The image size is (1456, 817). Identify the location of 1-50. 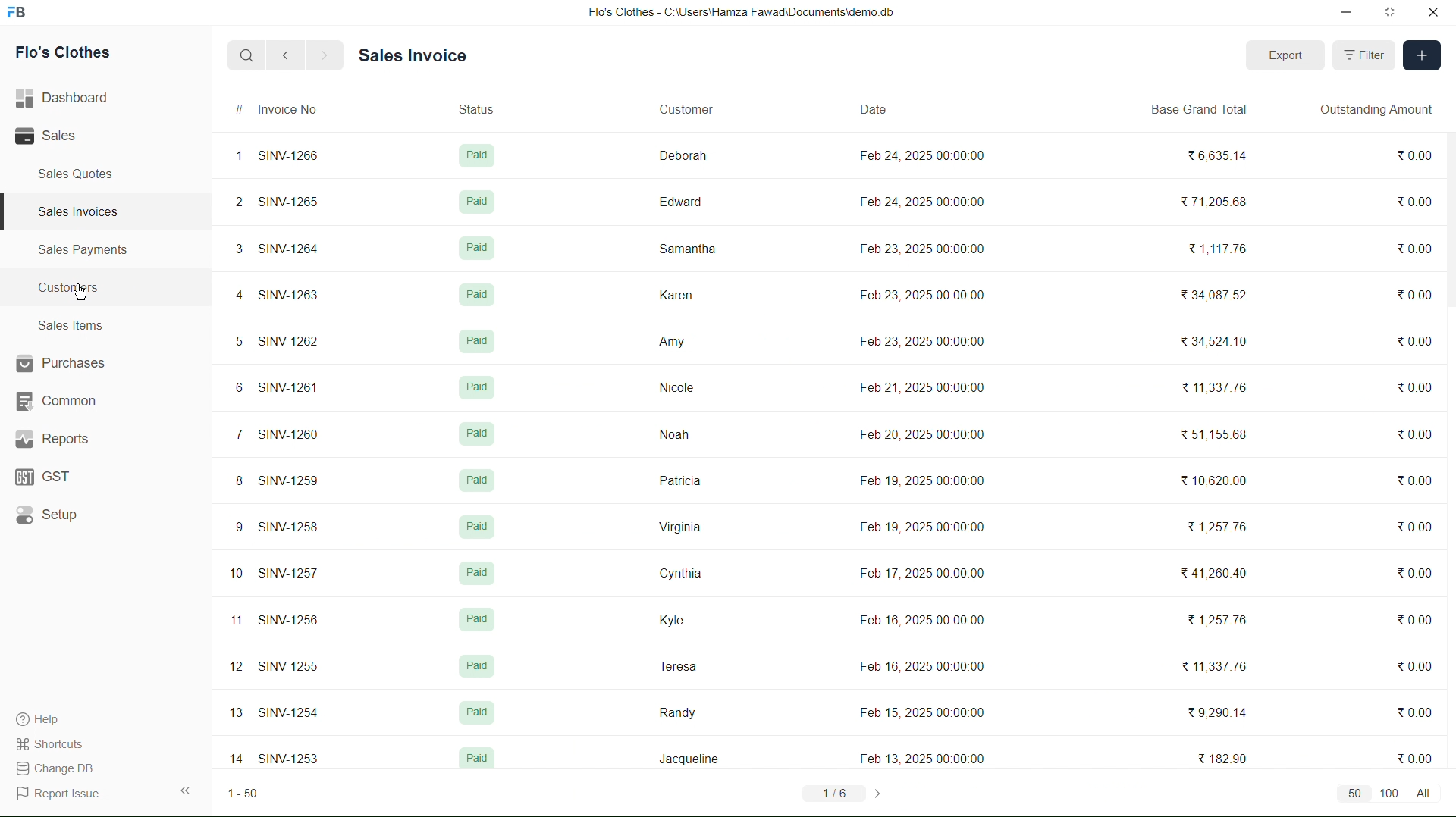
(247, 792).